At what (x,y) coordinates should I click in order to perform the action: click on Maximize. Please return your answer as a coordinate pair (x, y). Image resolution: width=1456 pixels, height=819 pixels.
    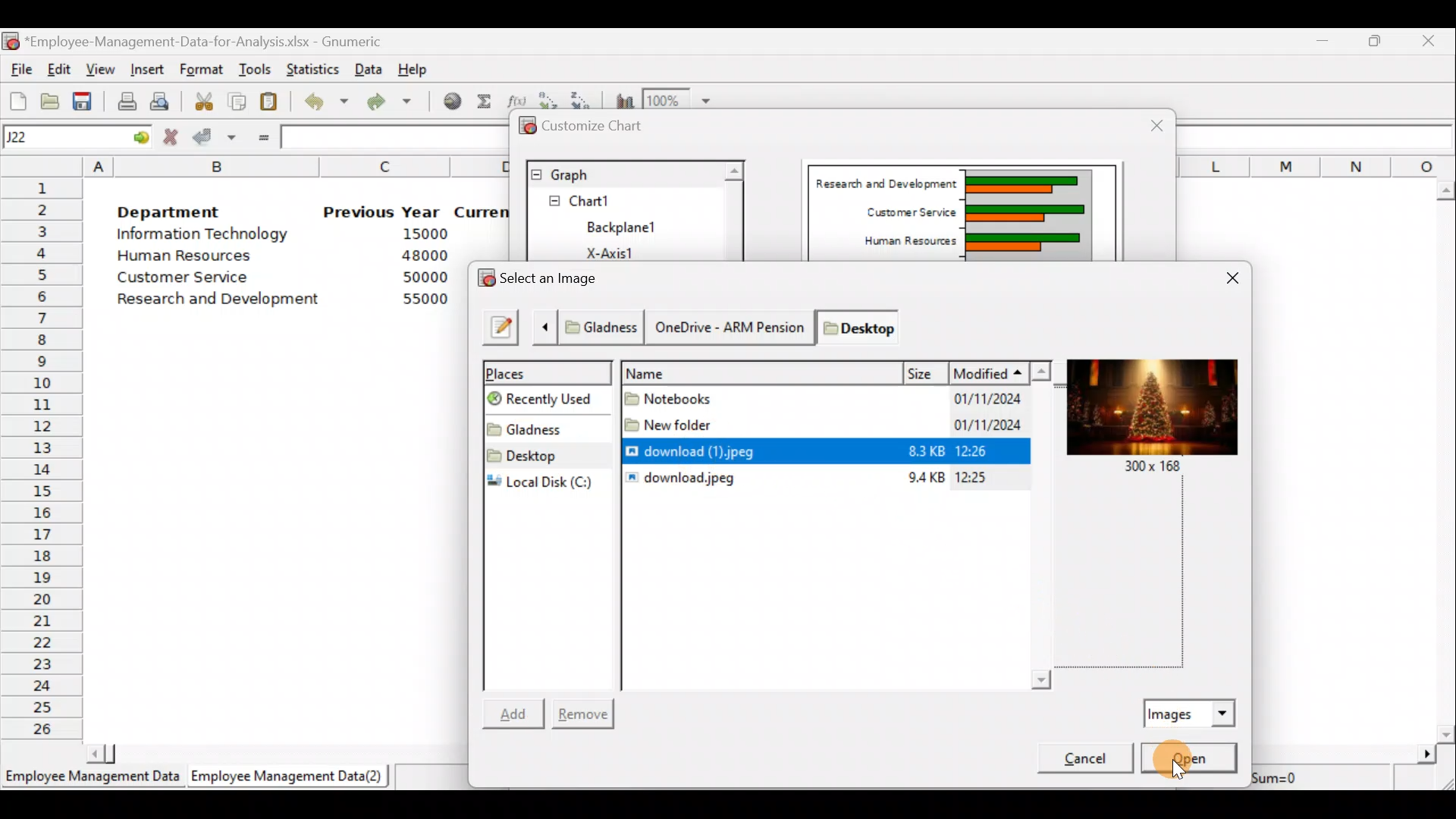
    Looking at the image, I should click on (1379, 41).